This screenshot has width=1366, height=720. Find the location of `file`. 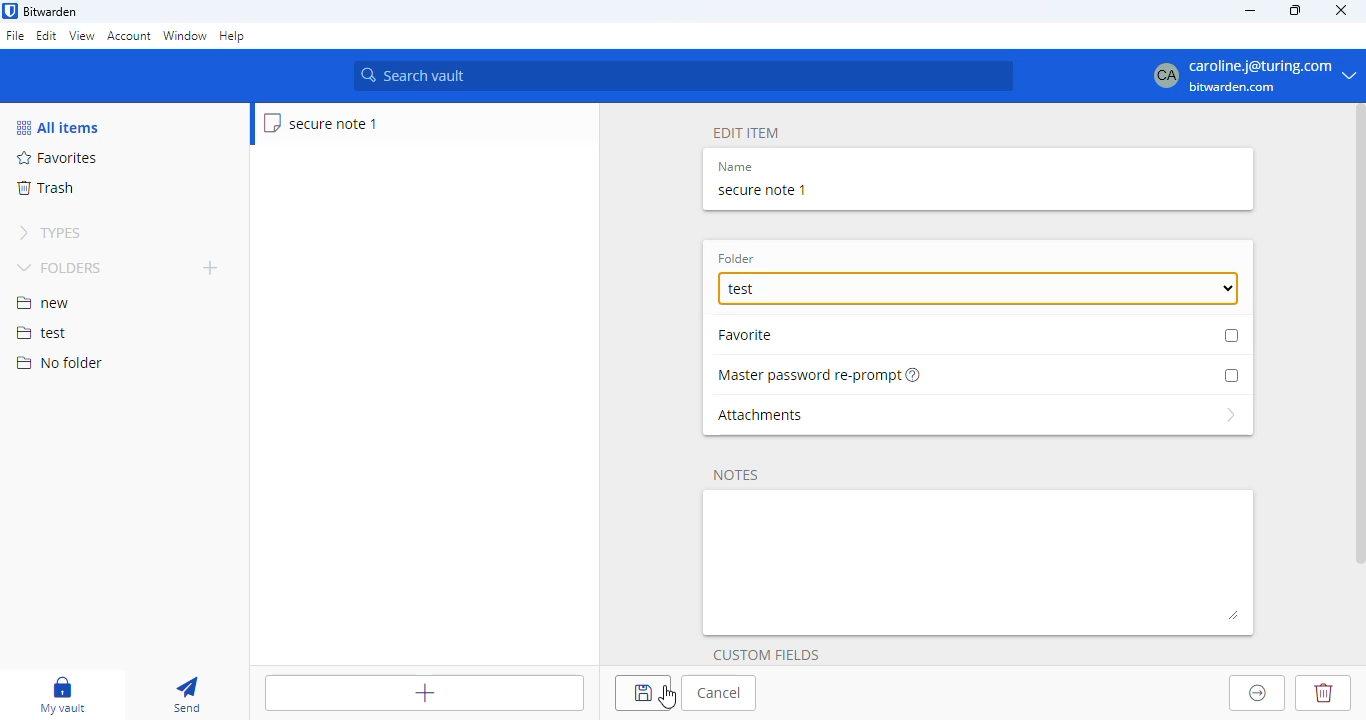

file is located at coordinates (15, 37).